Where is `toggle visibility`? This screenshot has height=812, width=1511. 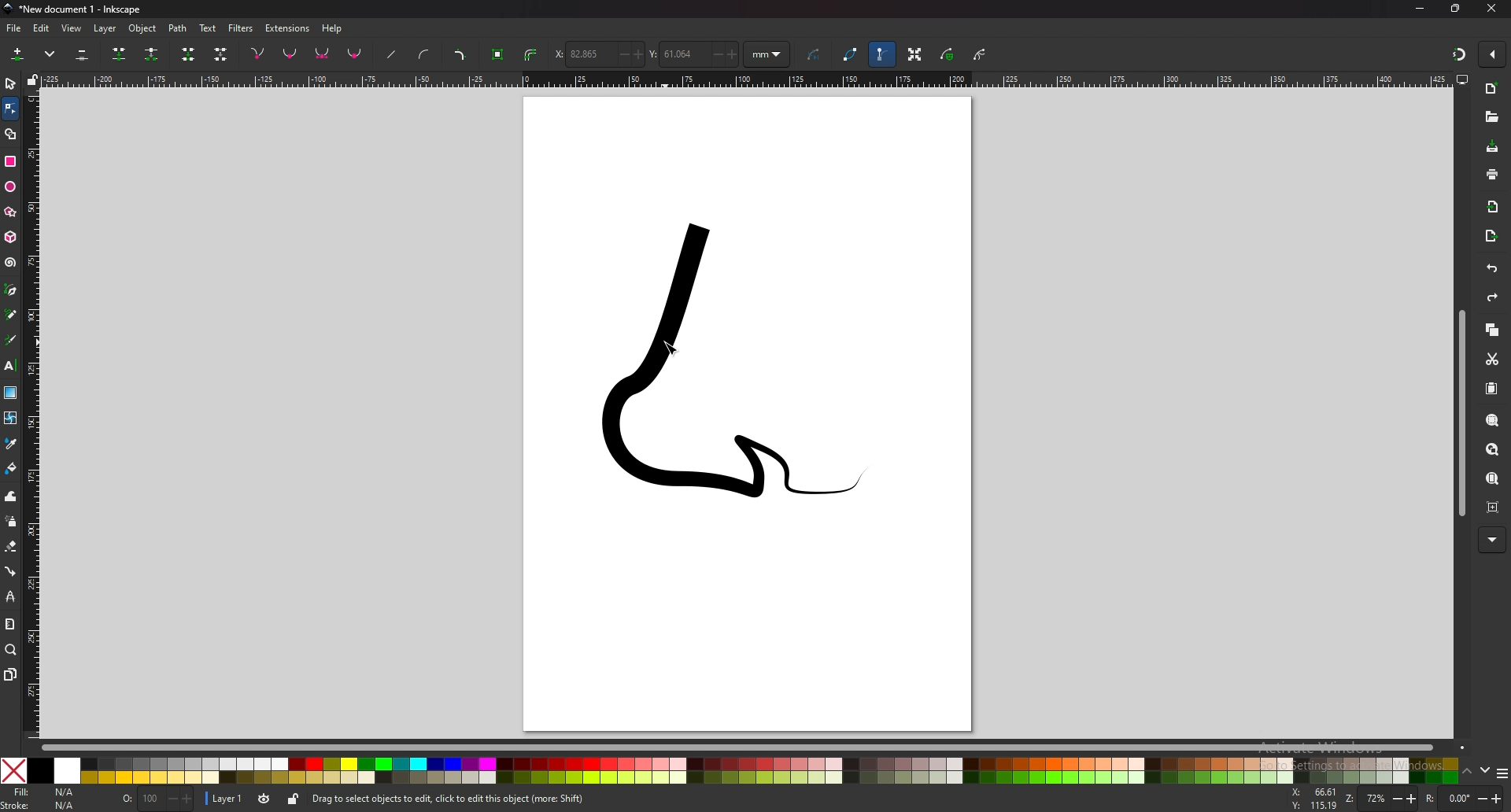 toggle visibility is located at coordinates (263, 799).